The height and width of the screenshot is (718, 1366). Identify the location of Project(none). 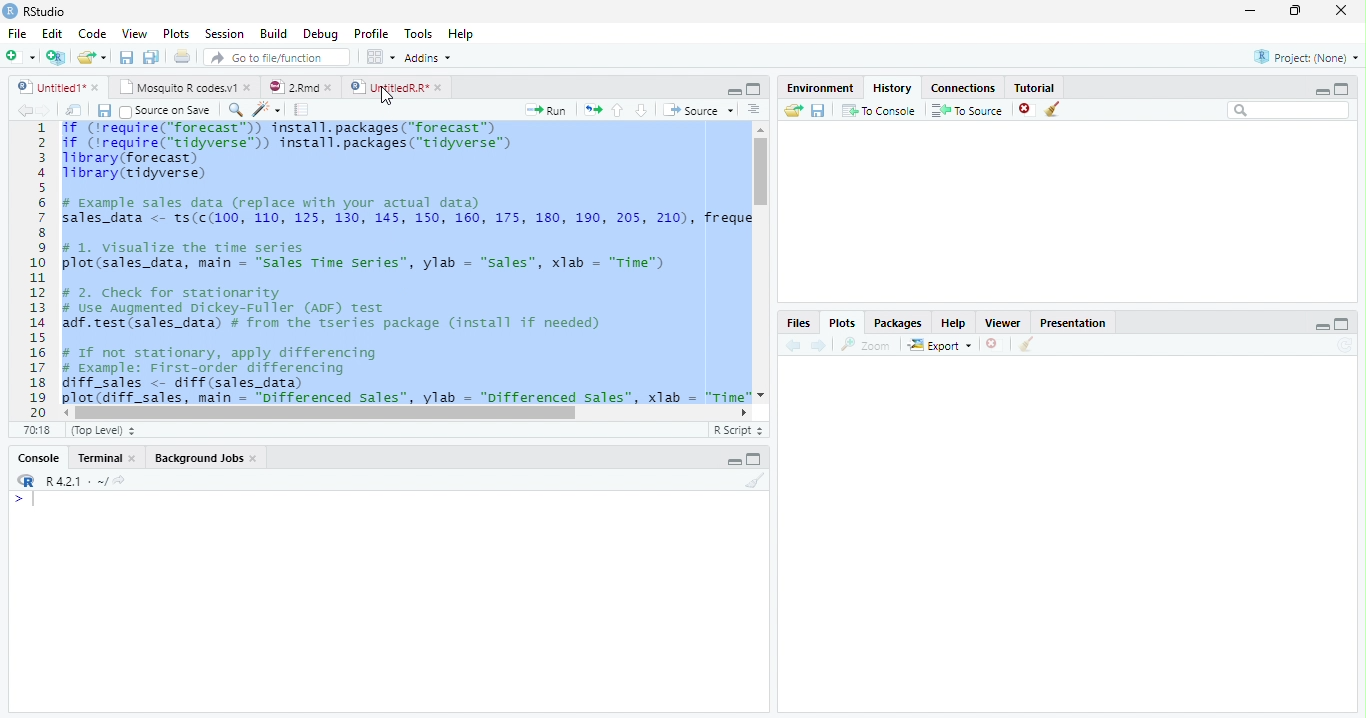
(1305, 56).